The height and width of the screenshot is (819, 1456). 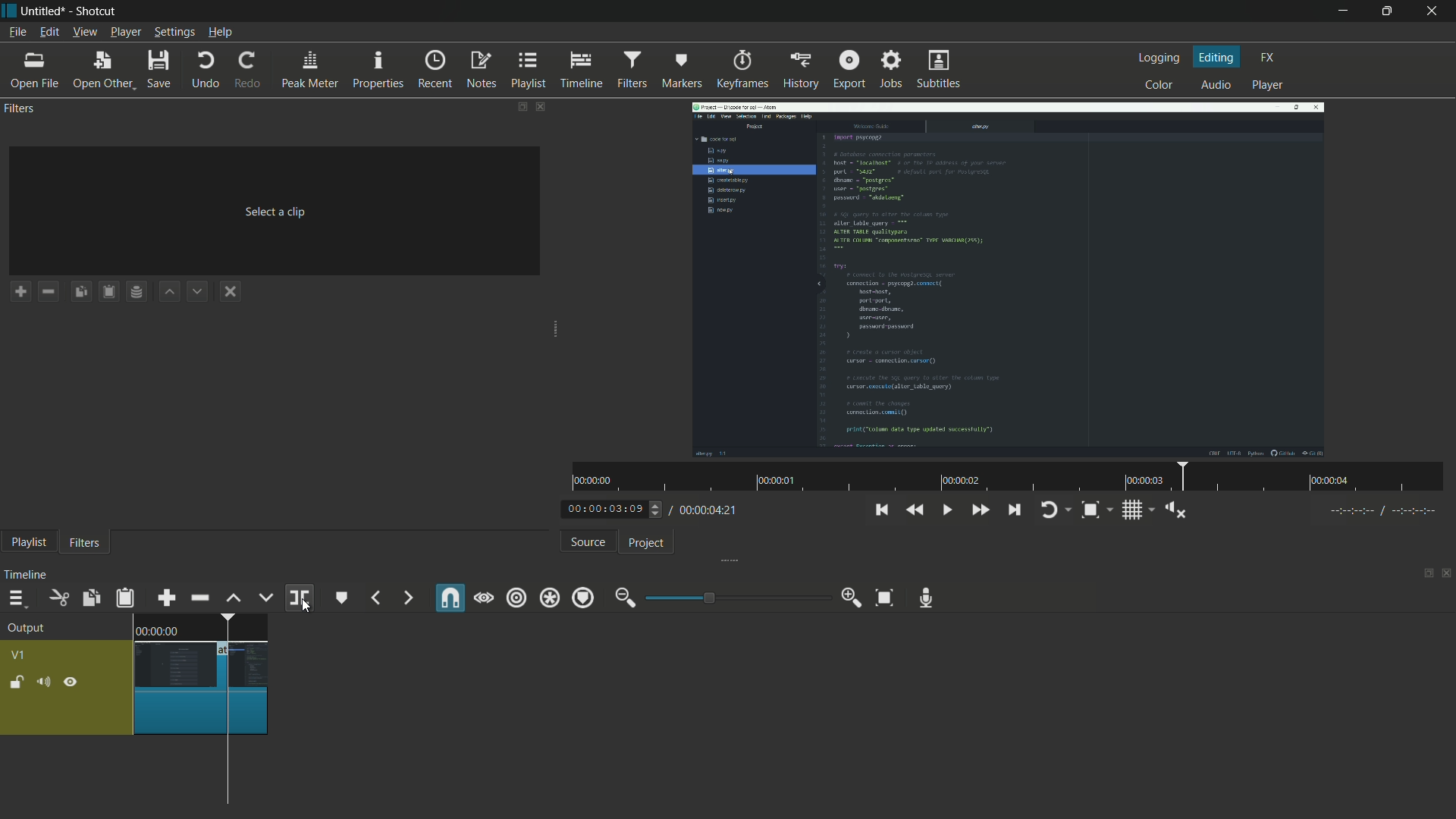 What do you see at coordinates (849, 71) in the screenshot?
I see `export` at bounding box center [849, 71].